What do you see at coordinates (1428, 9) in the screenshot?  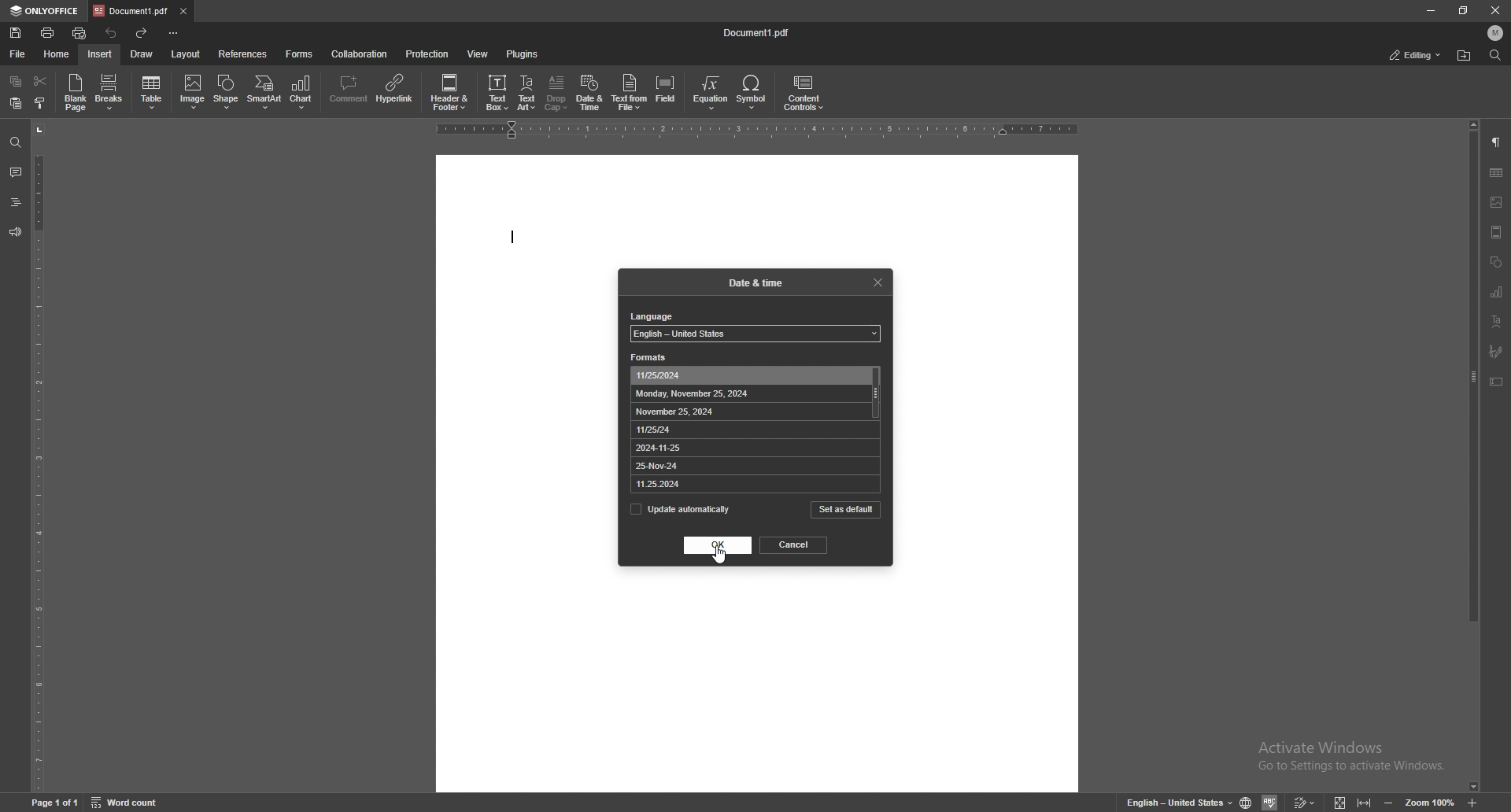 I see `minimize` at bounding box center [1428, 9].